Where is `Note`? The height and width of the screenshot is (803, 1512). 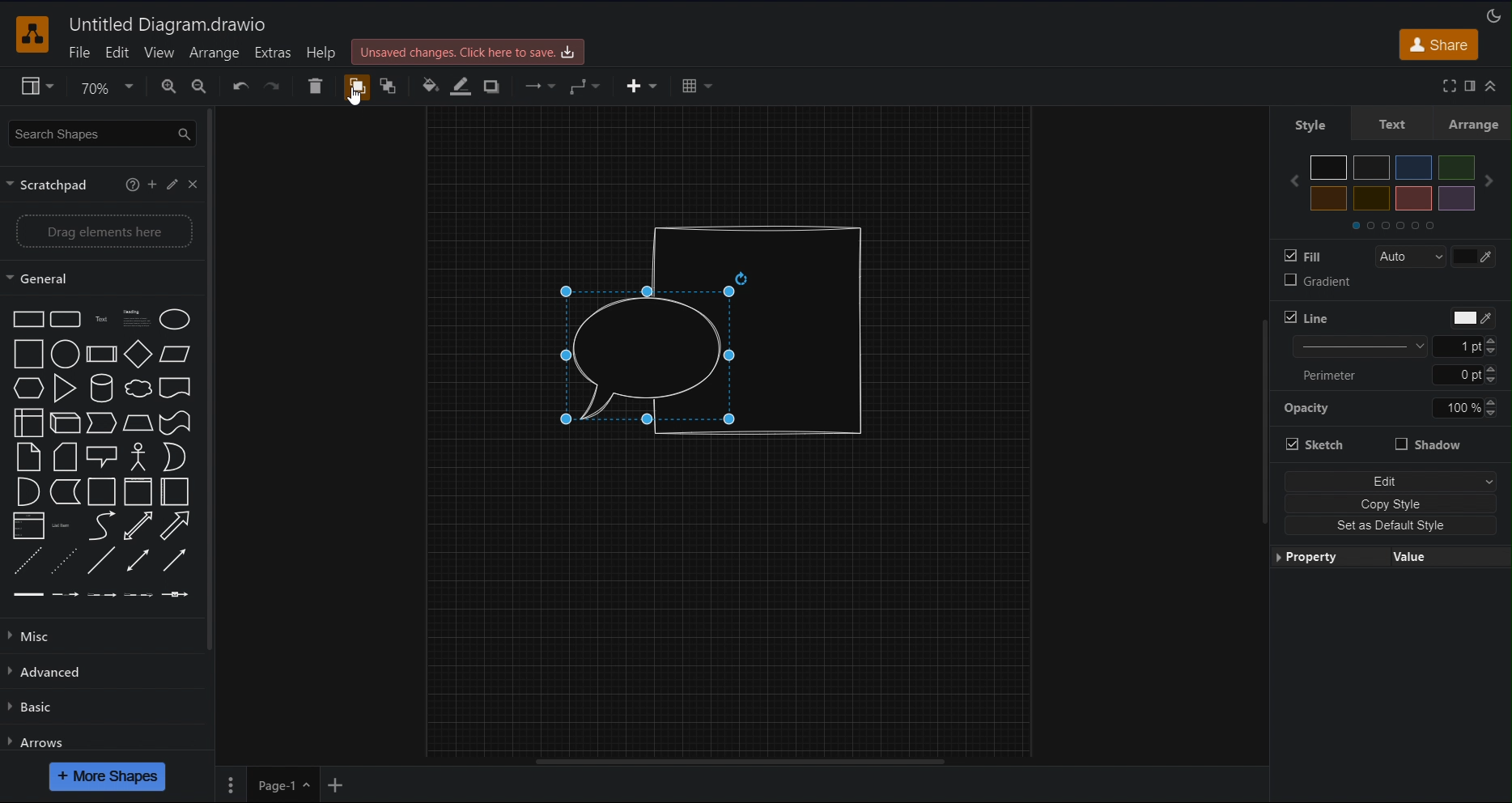 Note is located at coordinates (28, 457).